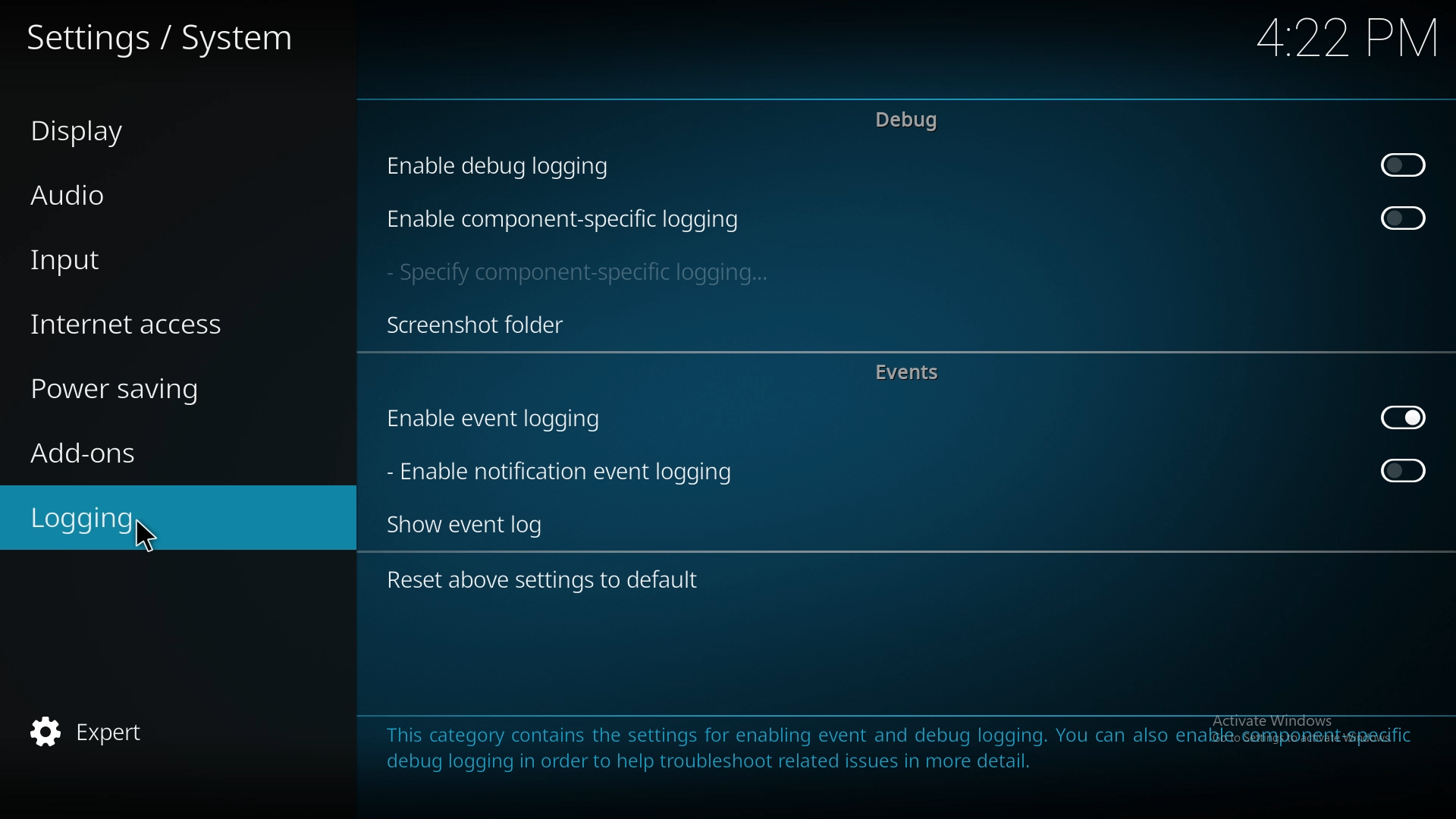  Describe the element at coordinates (152, 129) in the screenshot. I see `display` at that location.